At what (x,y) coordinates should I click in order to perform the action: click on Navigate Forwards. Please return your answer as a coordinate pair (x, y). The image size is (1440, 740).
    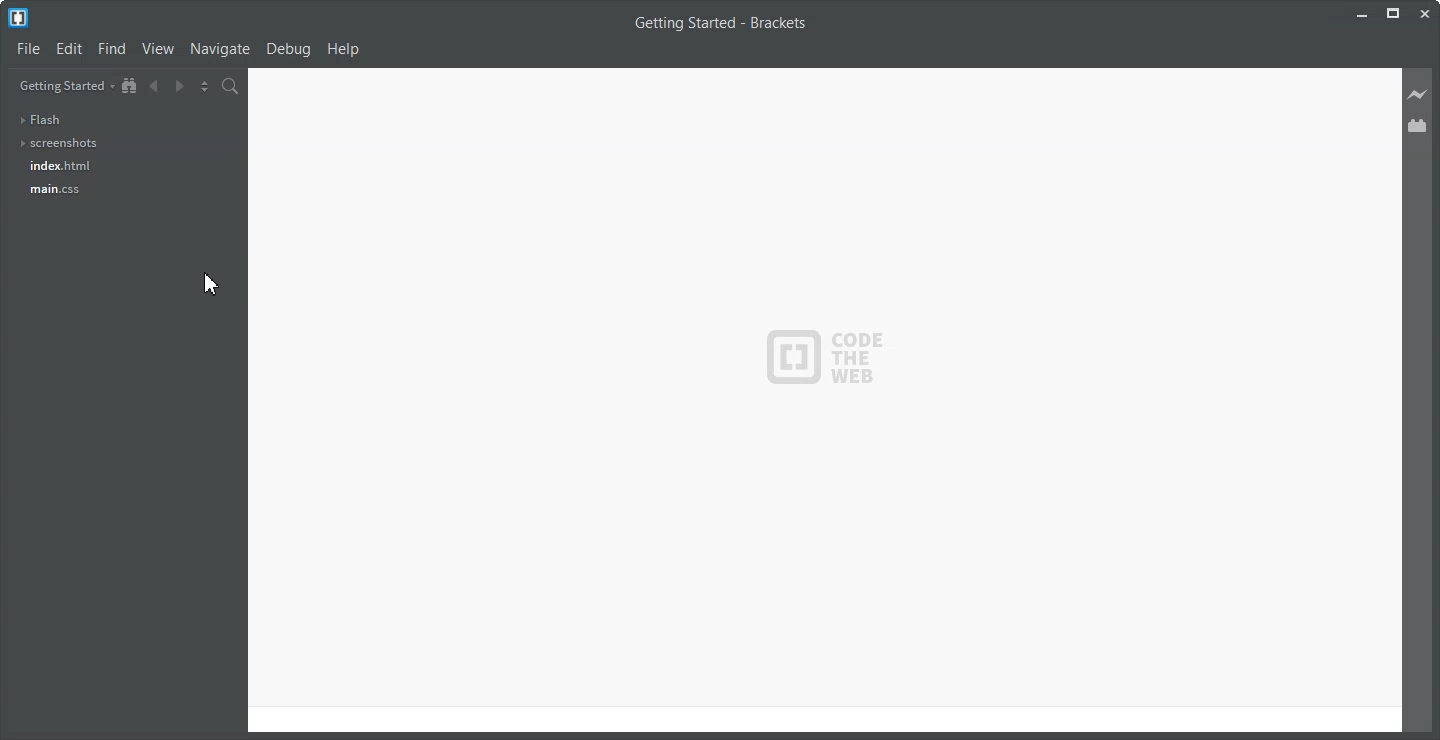
    Looking at the image, I should click on (178, 87).